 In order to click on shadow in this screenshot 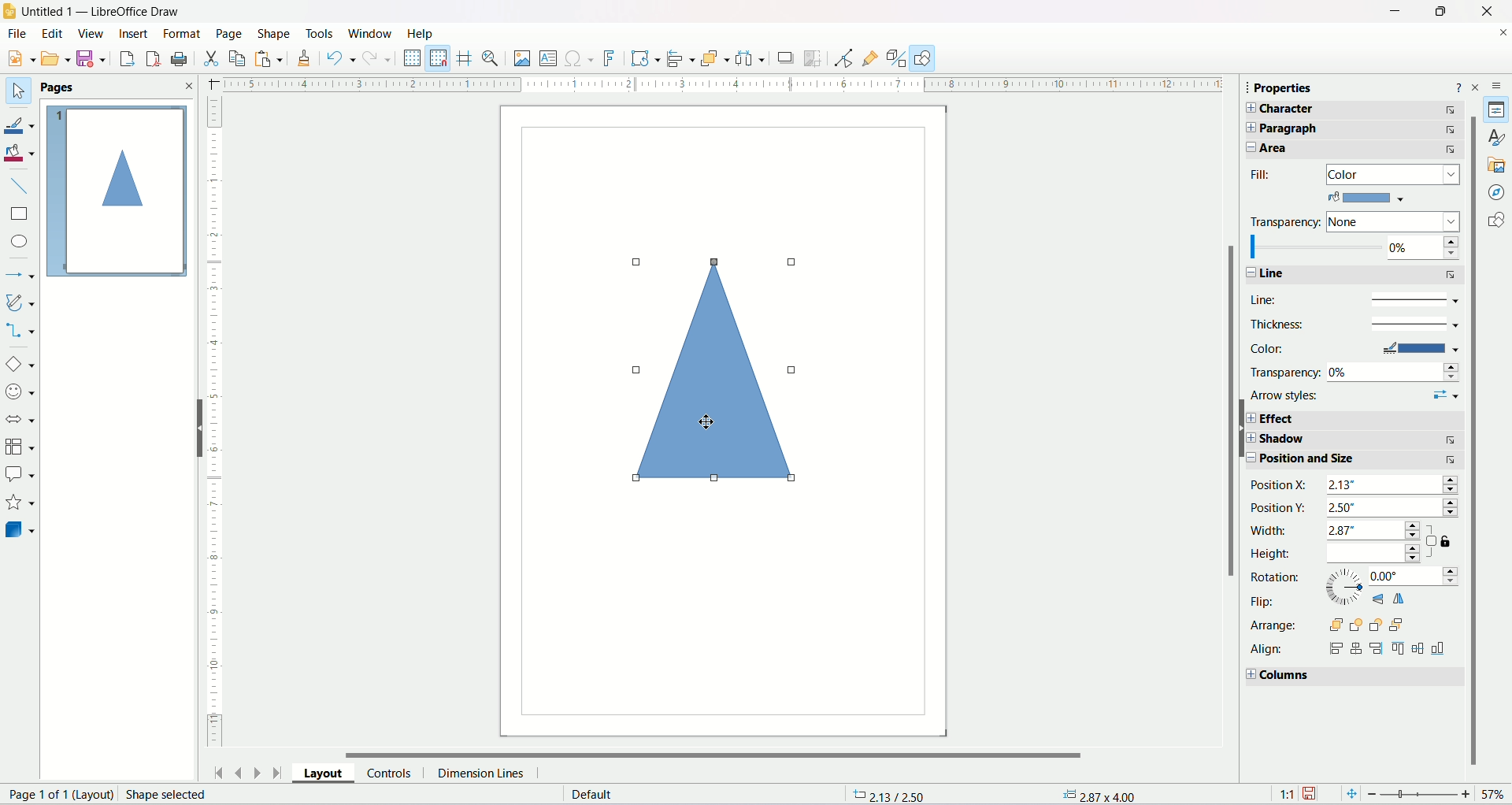, I will do `click(1362, 440)`.